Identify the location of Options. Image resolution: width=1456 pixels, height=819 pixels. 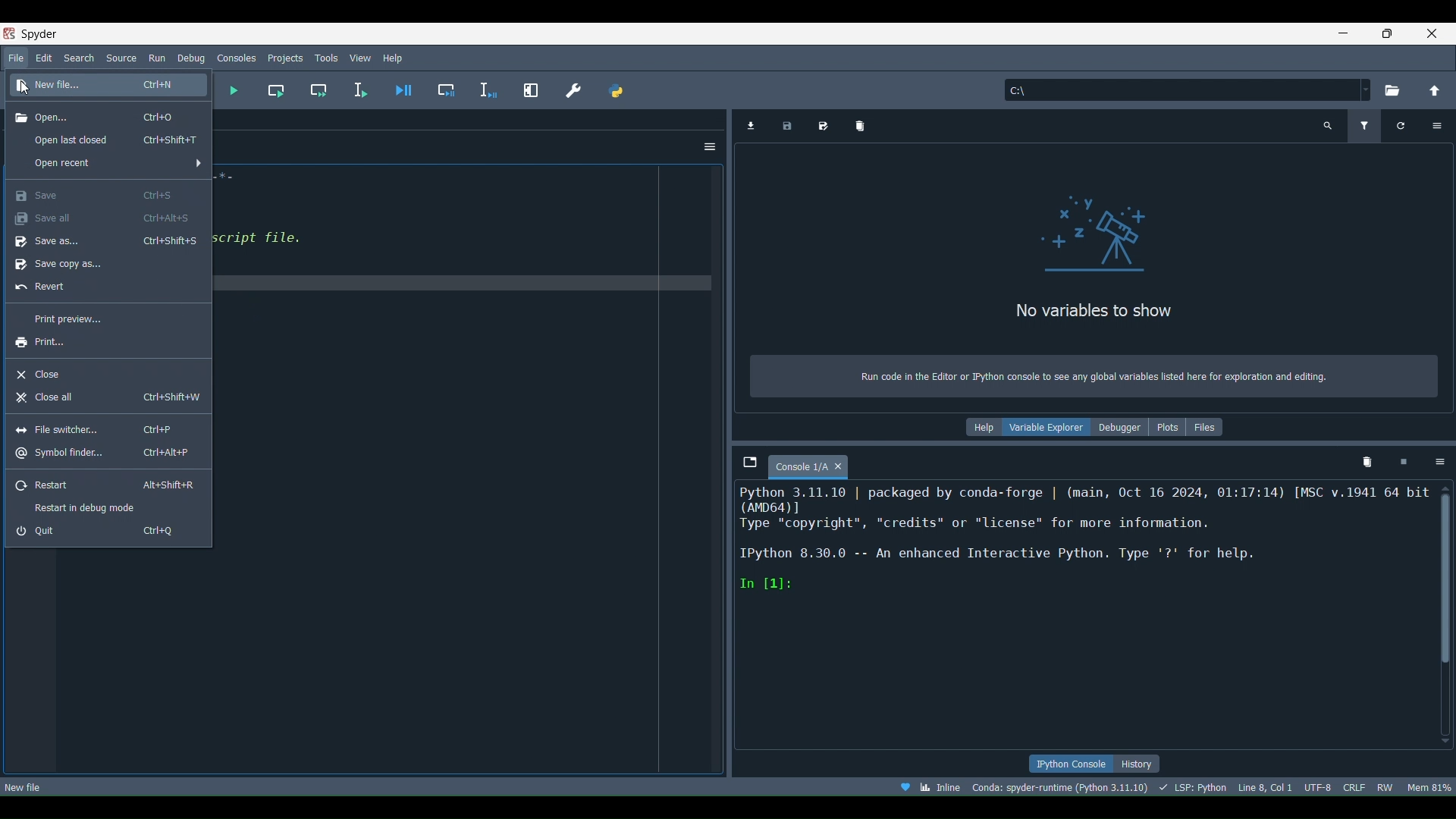
(711, 147).